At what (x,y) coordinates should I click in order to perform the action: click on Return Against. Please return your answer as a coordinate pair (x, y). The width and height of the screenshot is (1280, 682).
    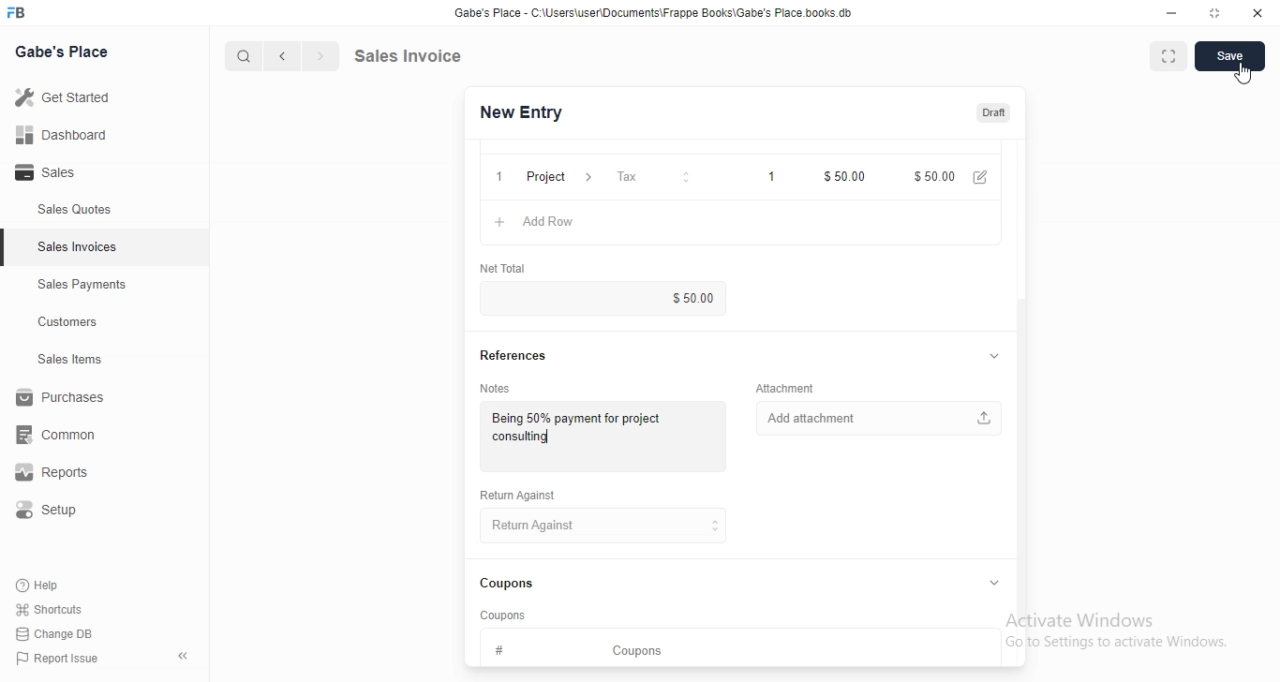
    Looking at the image, I should click on (606, 526).